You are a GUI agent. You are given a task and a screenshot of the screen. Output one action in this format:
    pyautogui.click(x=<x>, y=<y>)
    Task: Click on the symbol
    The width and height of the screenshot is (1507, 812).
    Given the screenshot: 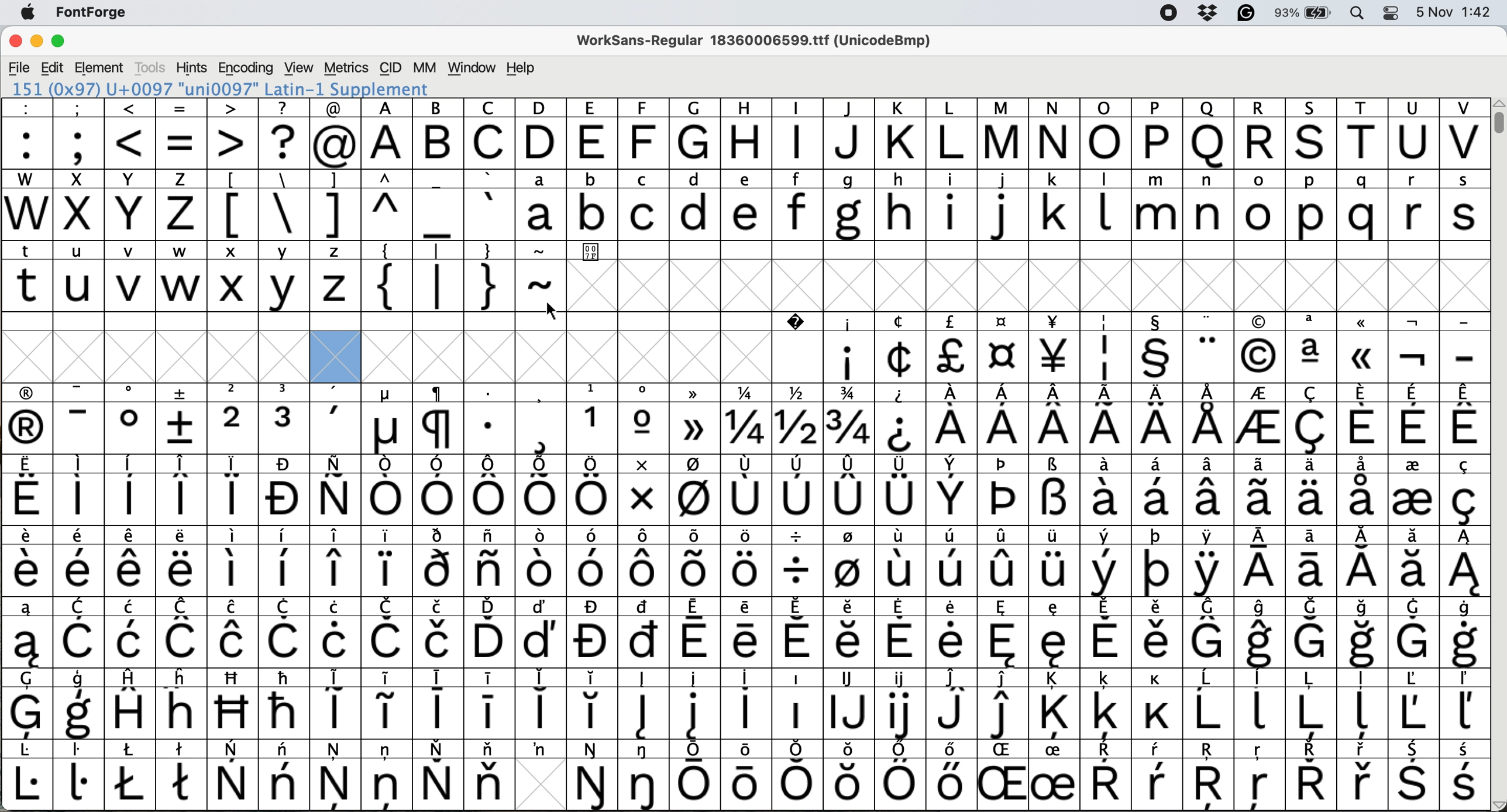 What is the action you would take?
    pyautogui.click(x=28, y=491)
    